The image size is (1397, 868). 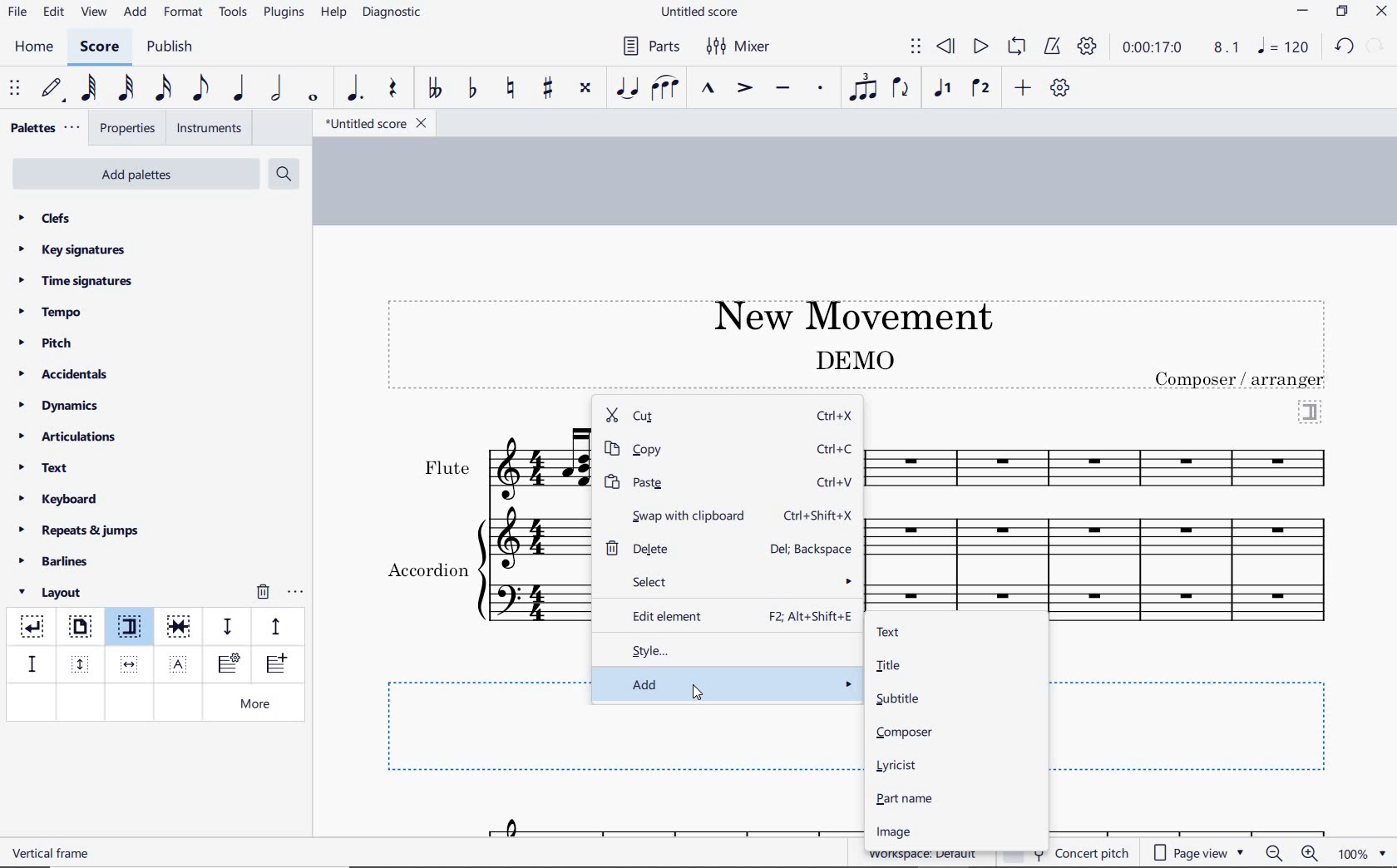 What do you see at coordinates (79, 528) in the screenshot?
I see `repeats & jumps` at bounding box center [79, 528].